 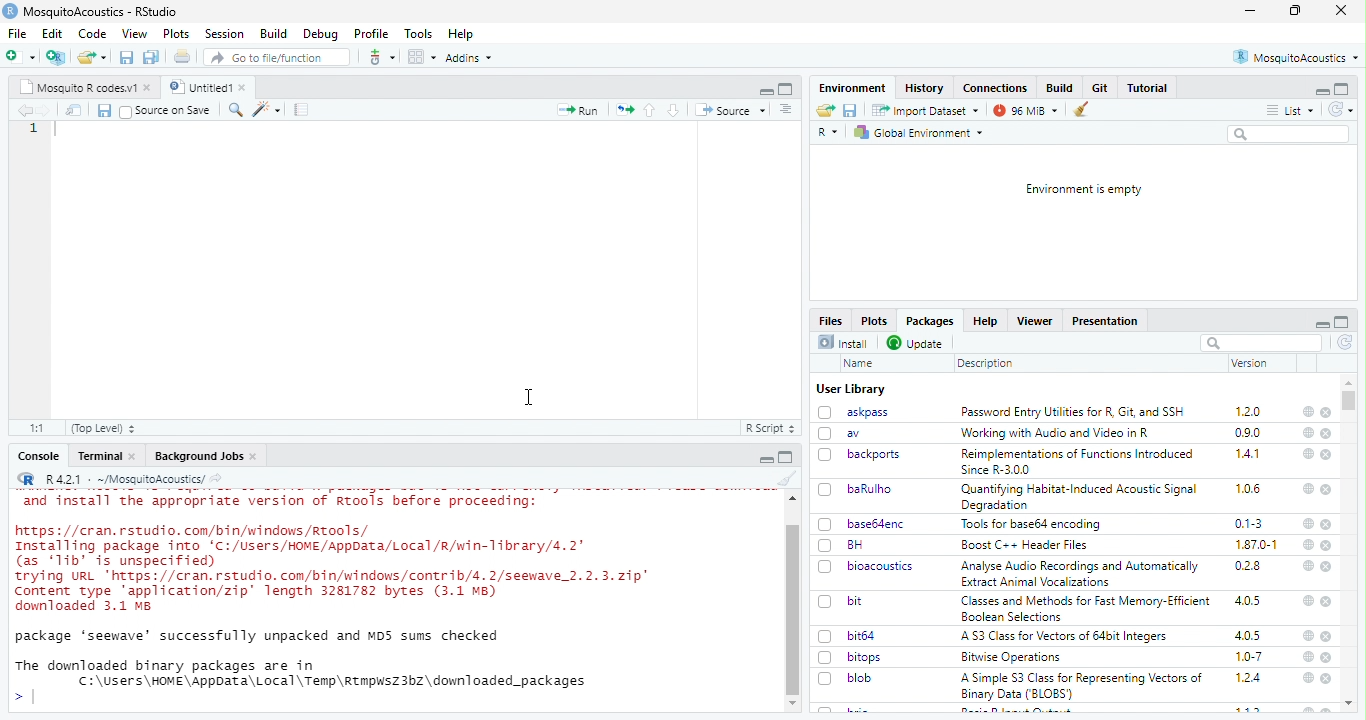 I want to click on Bitwise Operations, so click(x=1013, y=658).